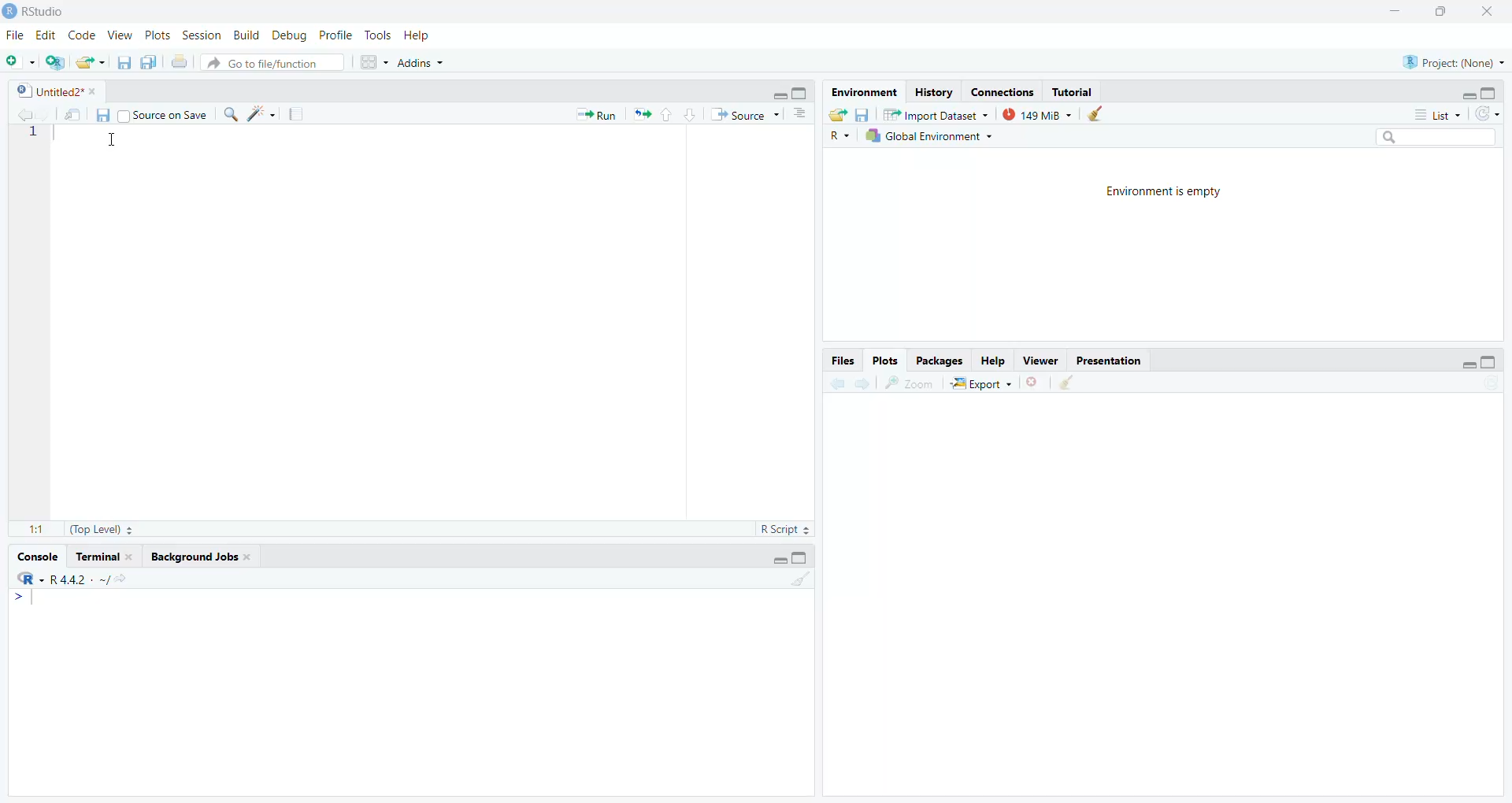 The width and height of the screenshot is (1512, 803). Describe the element at coordinates (803, 557) in the screenshot. I see `Maximize` at that location.